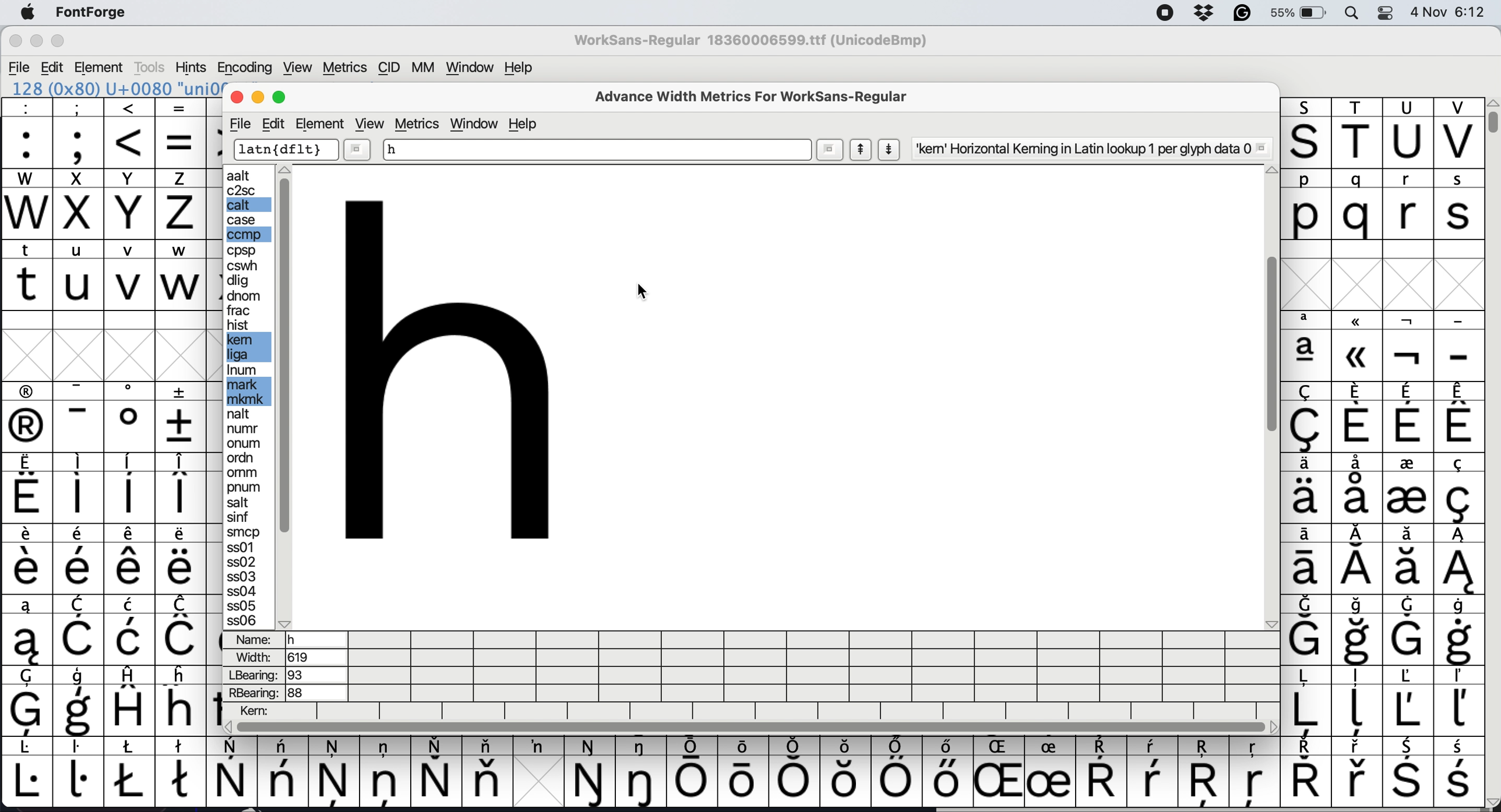 This screenshot has width=1501, height=812. I want to click on special characters, so click(741, 746).